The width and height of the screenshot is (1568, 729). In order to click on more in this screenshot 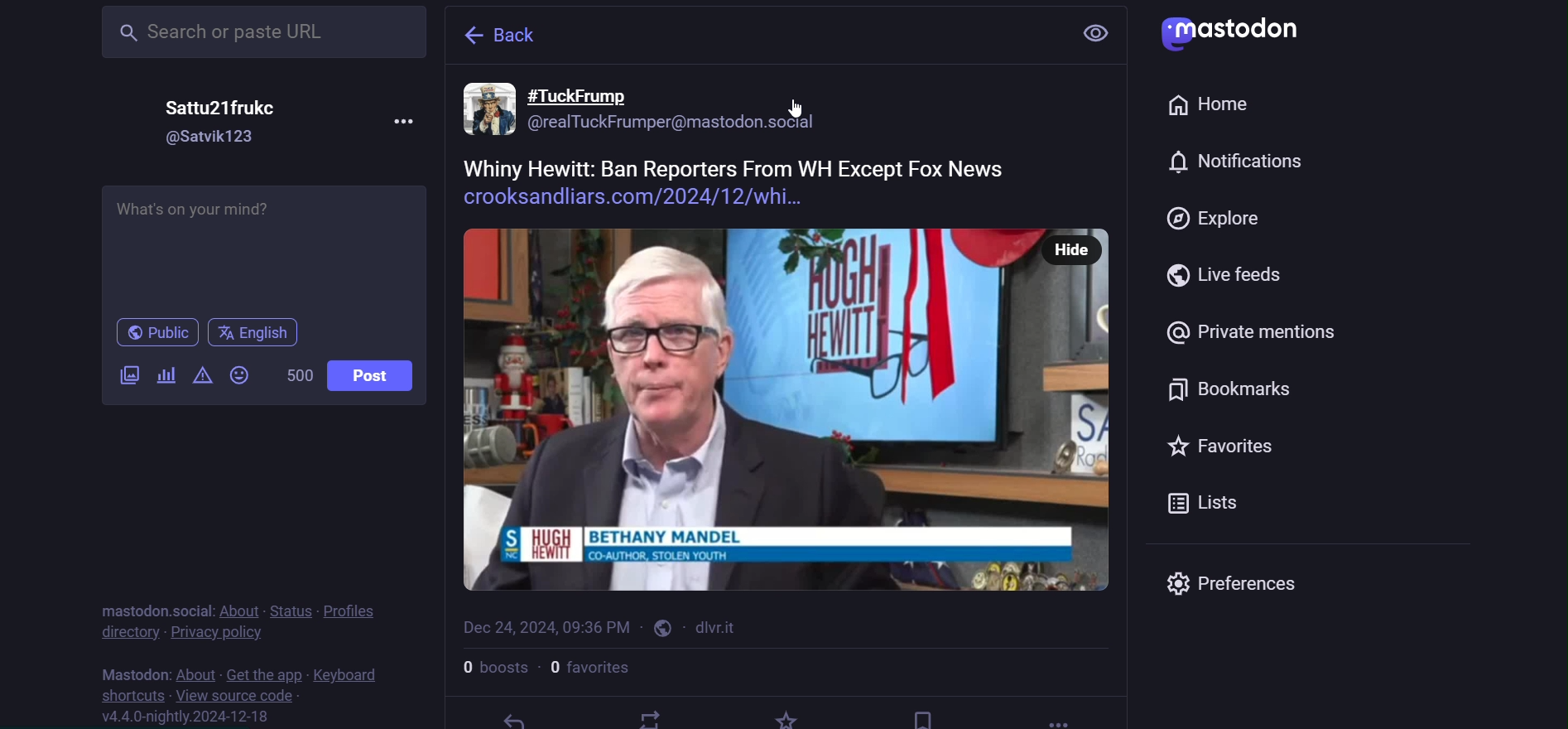, I will do `click(1053, 716)`.